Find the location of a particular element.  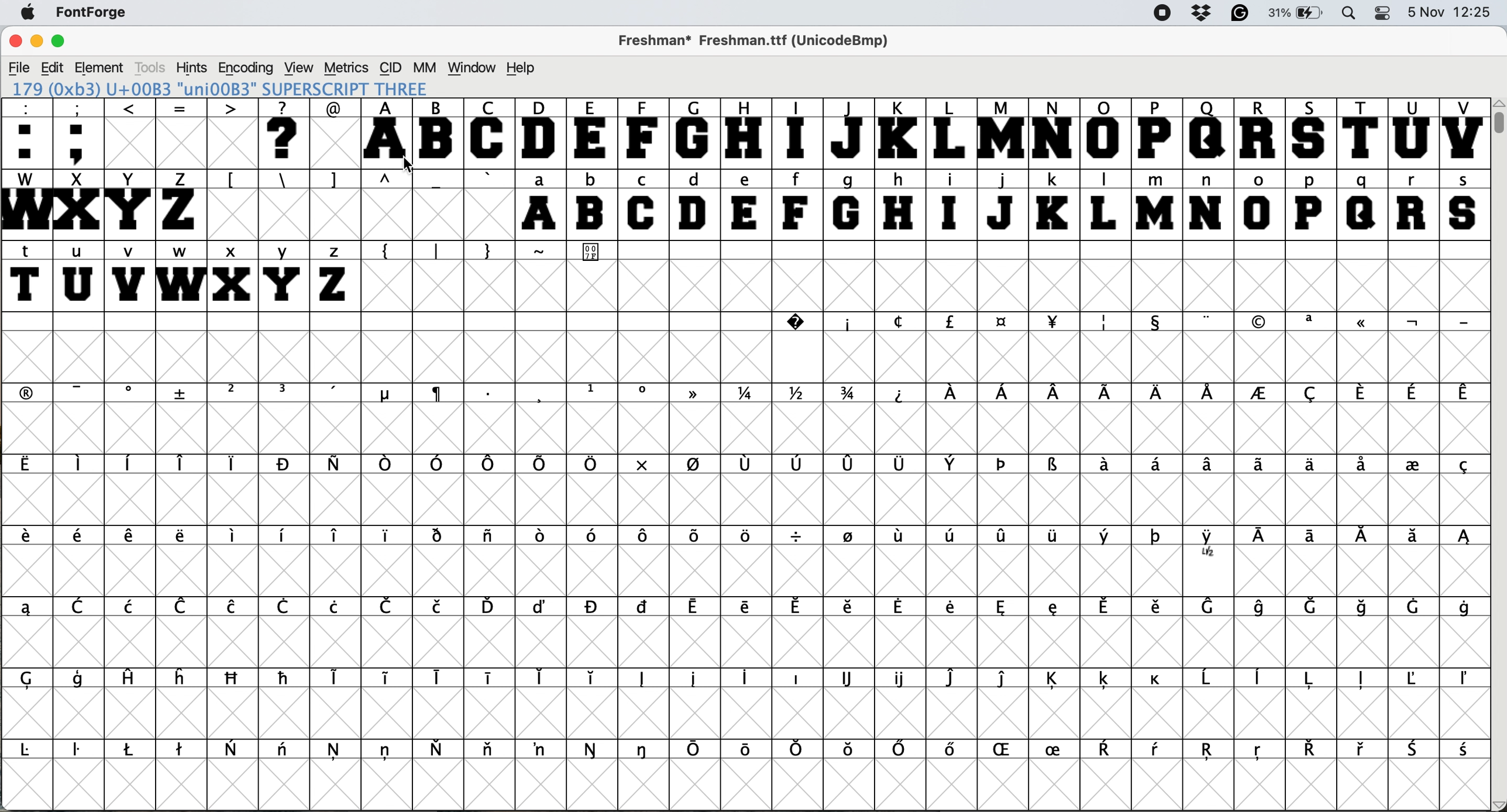

P is located at coordinates (1157, 133).